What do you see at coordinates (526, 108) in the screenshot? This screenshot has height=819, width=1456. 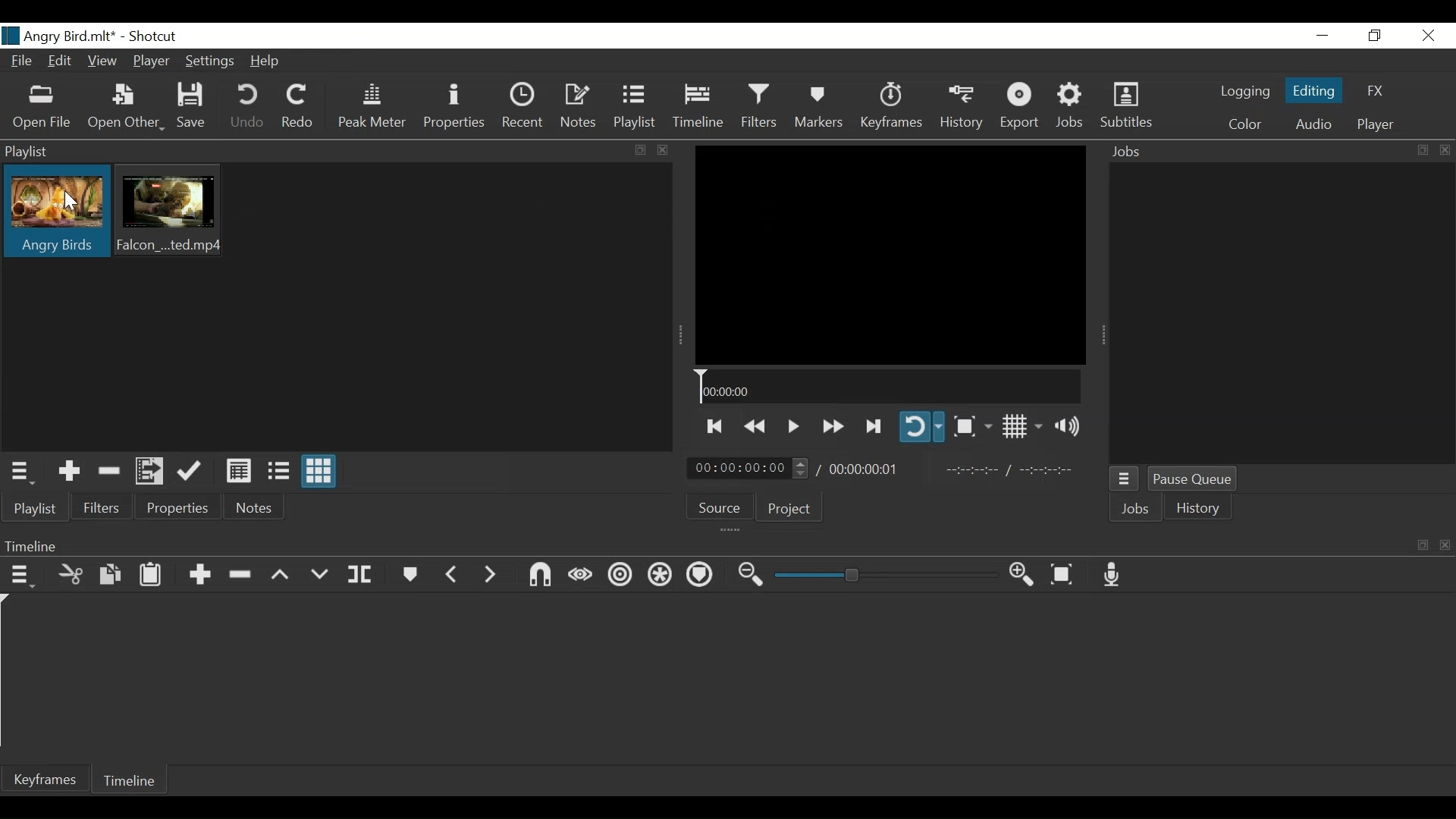 I see `Recent` at bounding box center [526, 108].